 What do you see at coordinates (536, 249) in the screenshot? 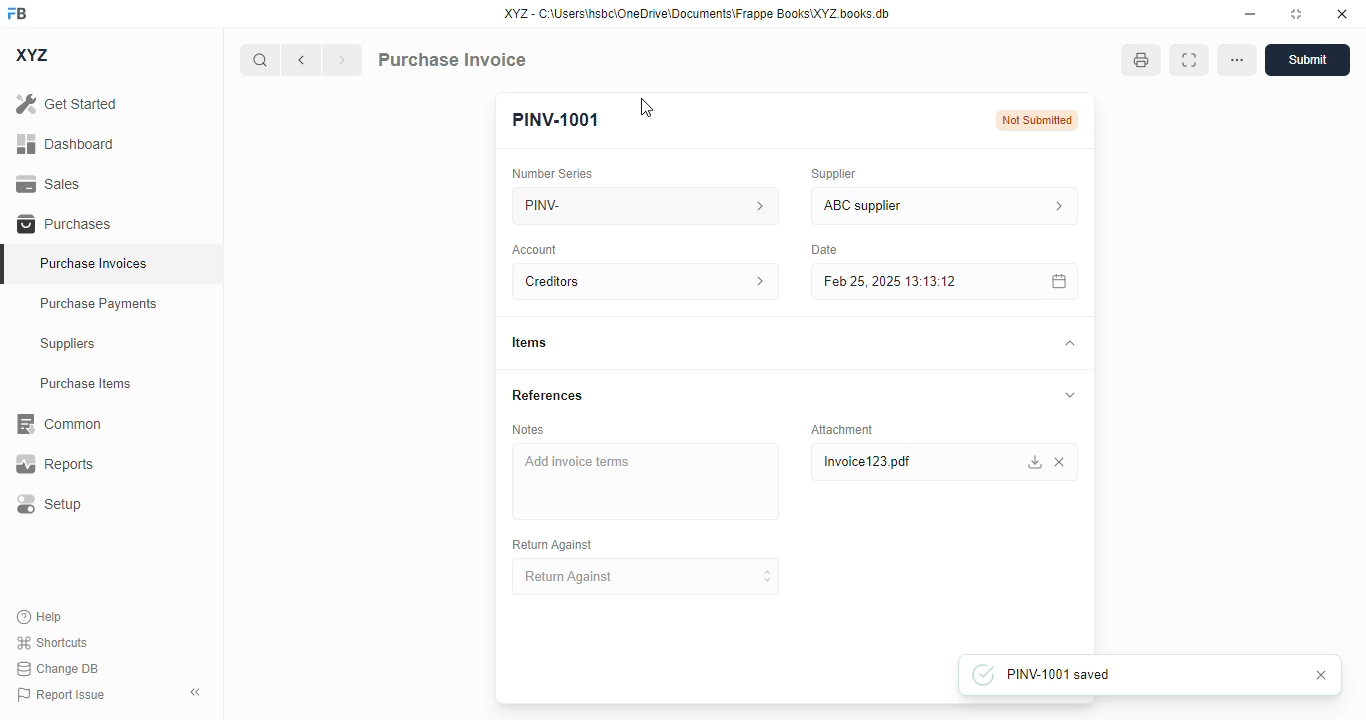
I see `account` at bounding box center [536, 249].